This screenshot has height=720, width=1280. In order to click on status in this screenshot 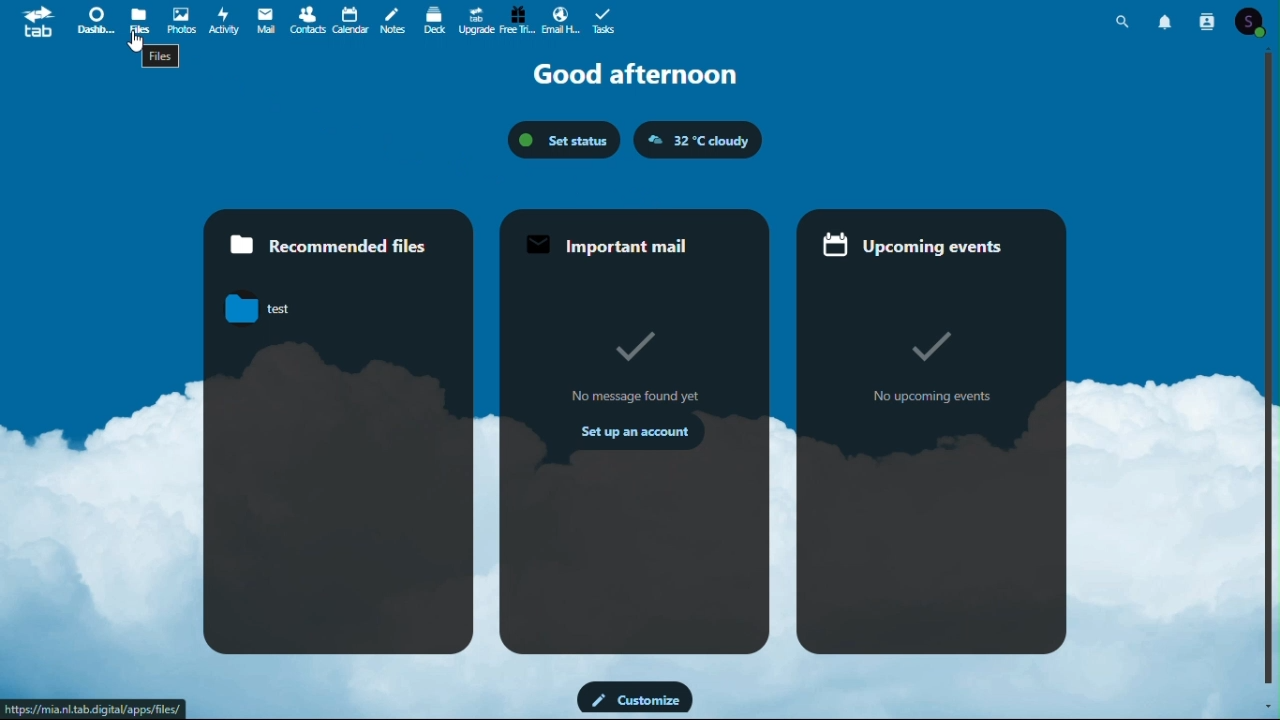, I will do `click(567, 140)`.